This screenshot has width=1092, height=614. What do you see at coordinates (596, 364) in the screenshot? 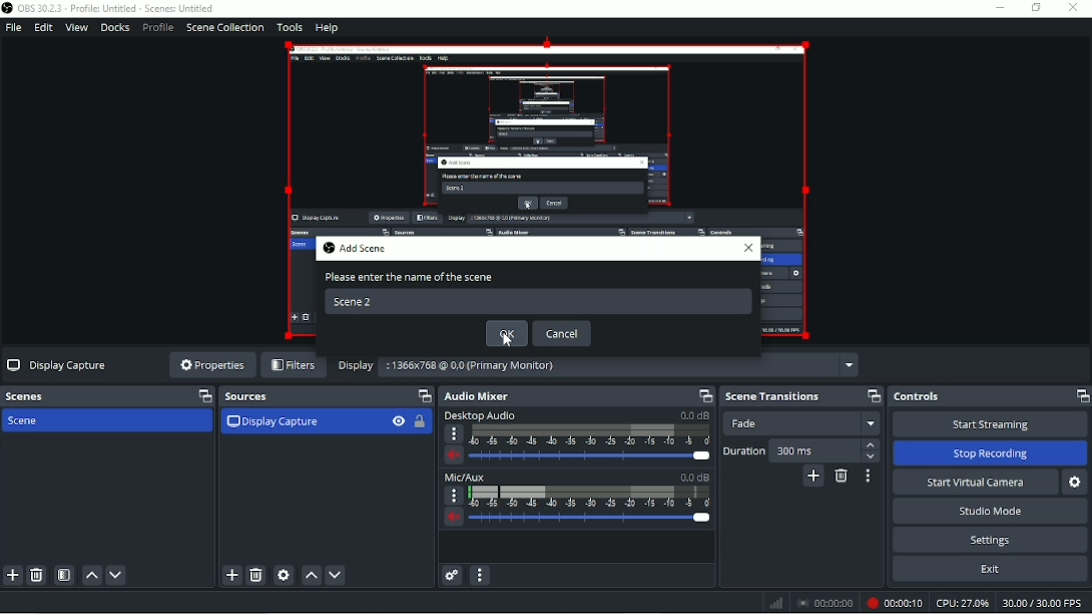
I see `Display 1366x768 @ 0,0 (Primary Monitor)` at bounding box center [596, 364].